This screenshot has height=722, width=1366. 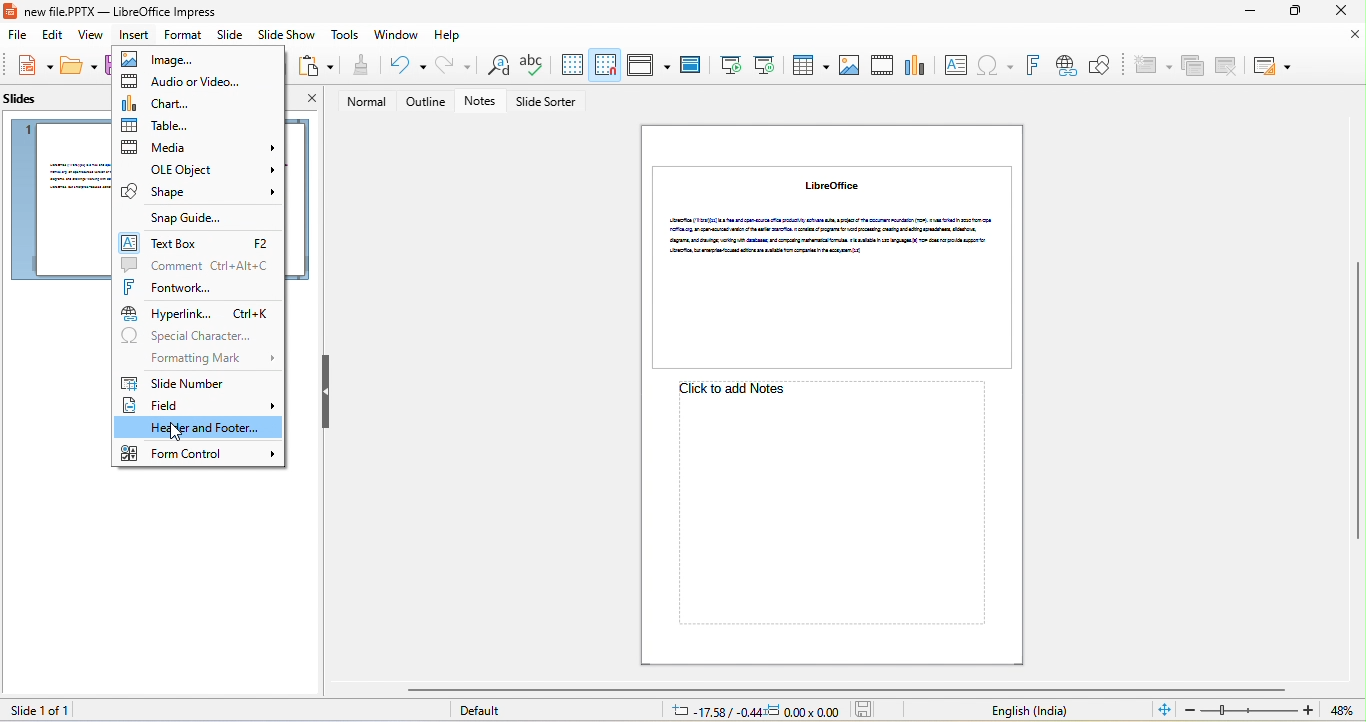 I want to click on chart, so click(x=159, y=103).